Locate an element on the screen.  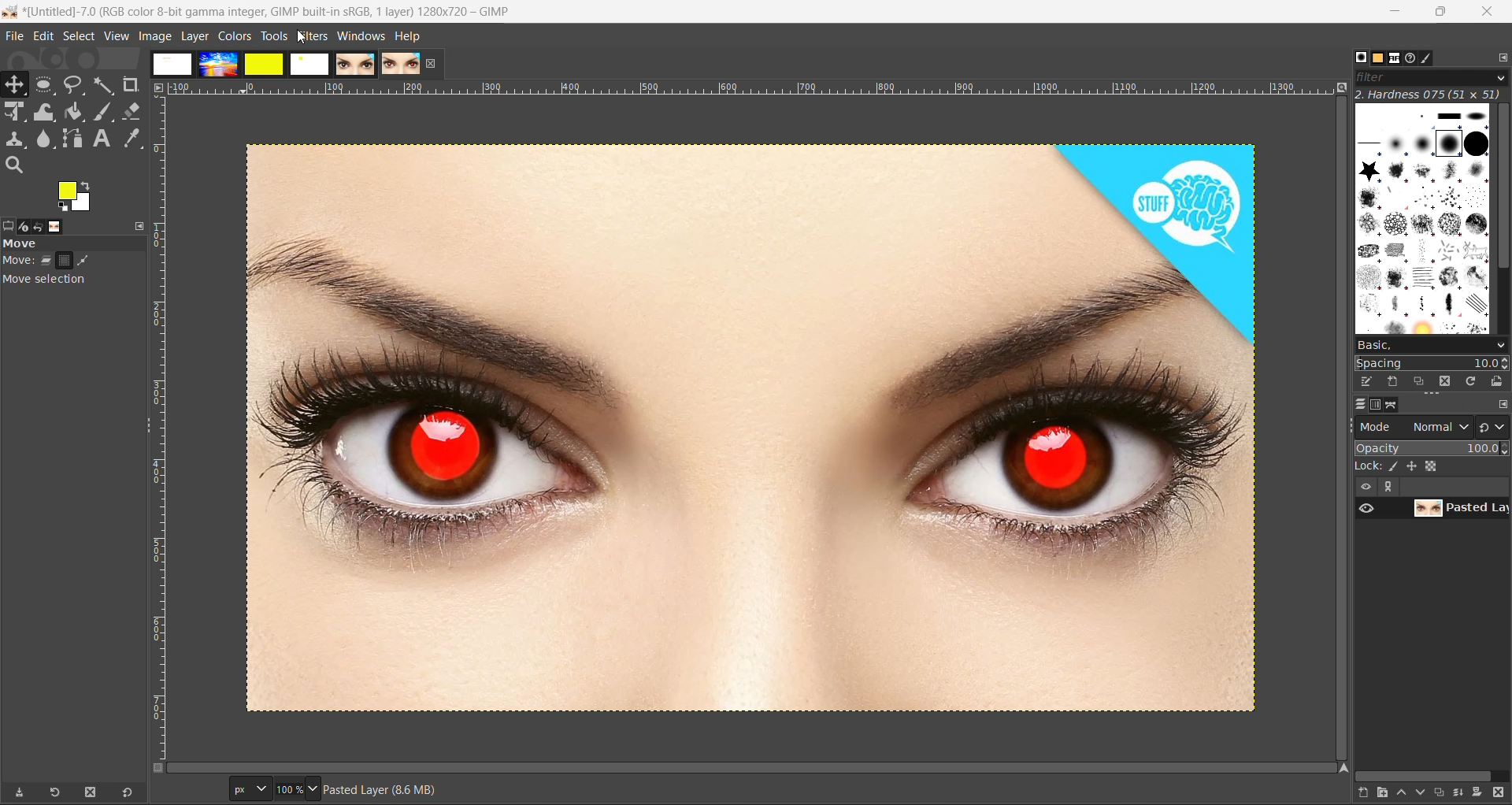
Move tool is located at coordinates (17, 84).